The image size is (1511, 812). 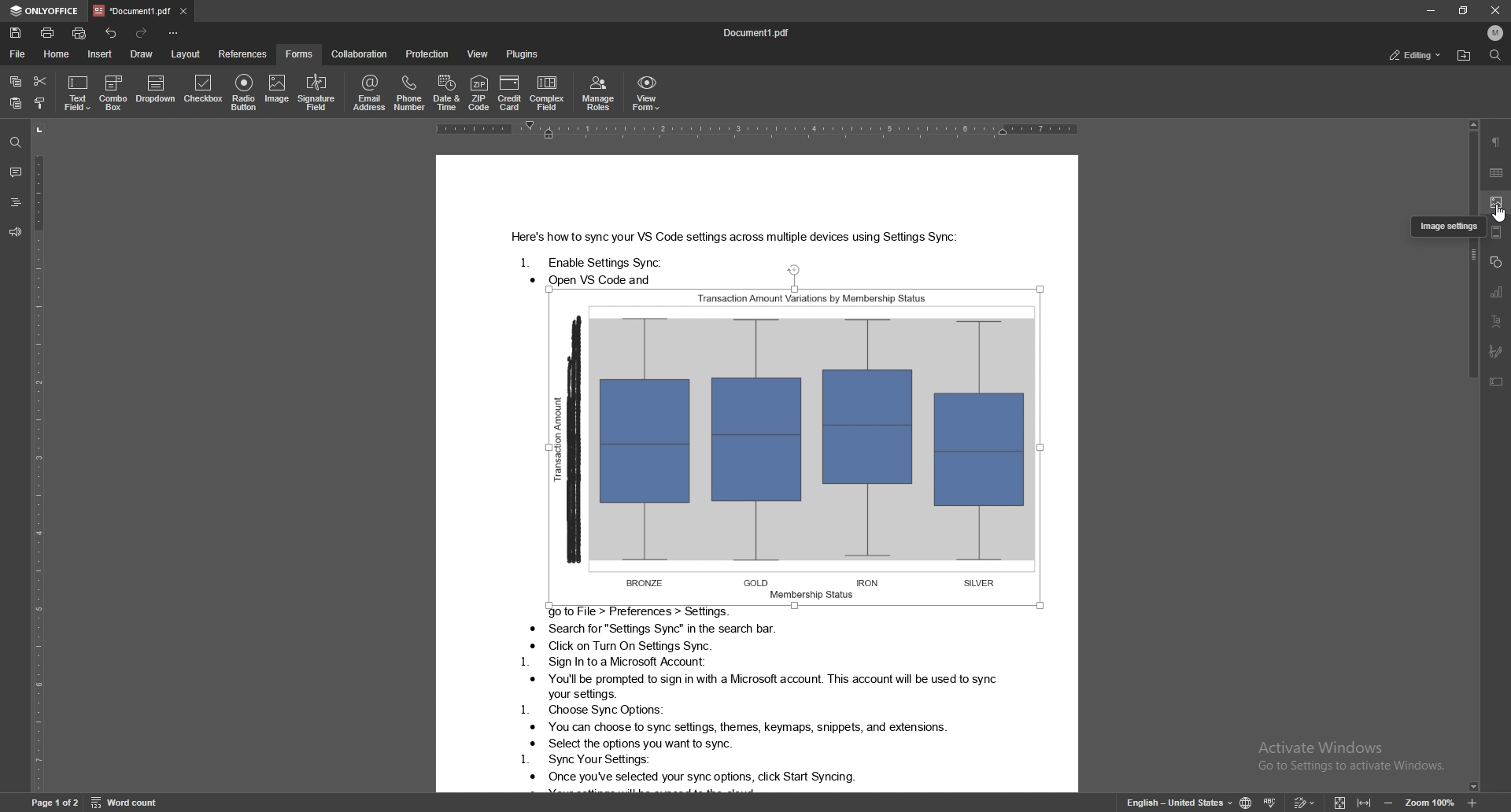 What do you see at coordinates (1303, 803) in the screenshot?
I see `track changes` at bounding box center [1303, 803].